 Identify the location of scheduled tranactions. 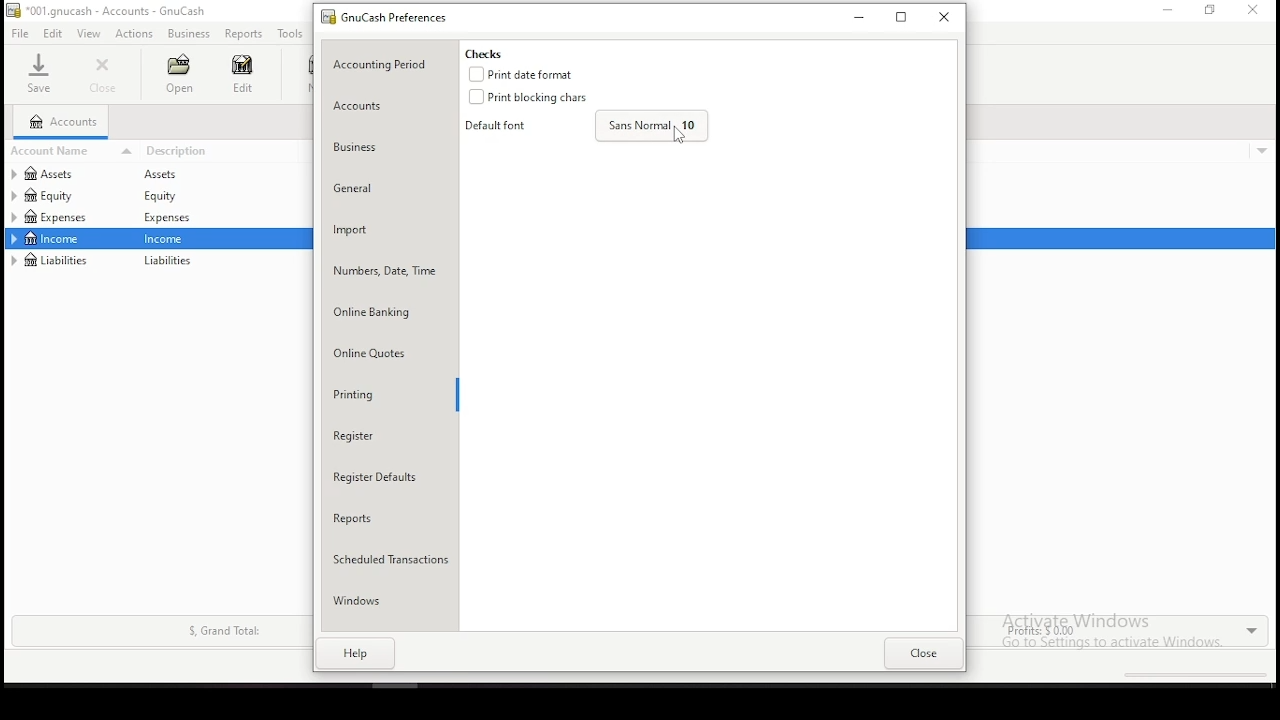
(388, 558).